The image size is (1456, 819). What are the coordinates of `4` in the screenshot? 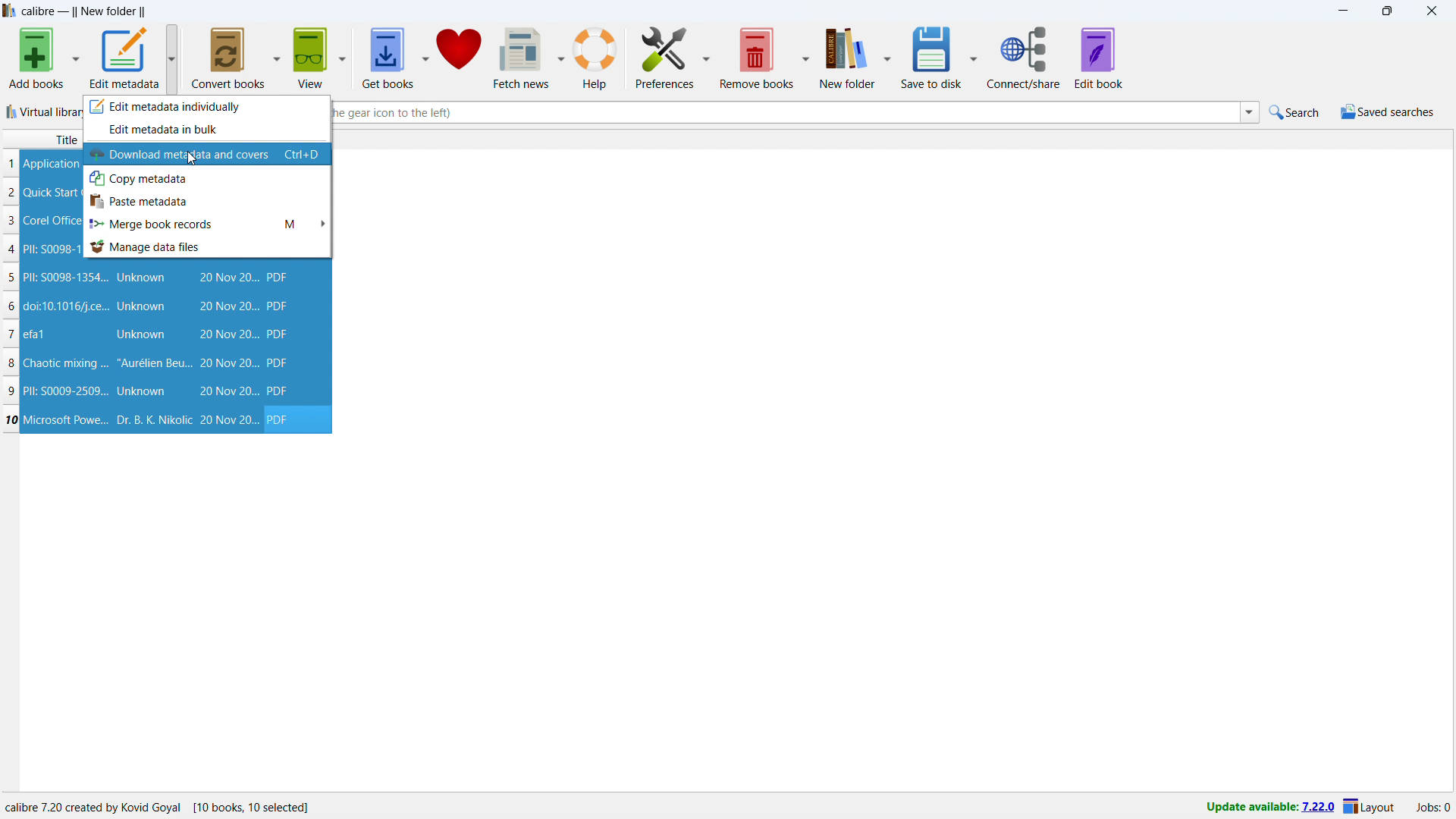 It's located at (14, 250).